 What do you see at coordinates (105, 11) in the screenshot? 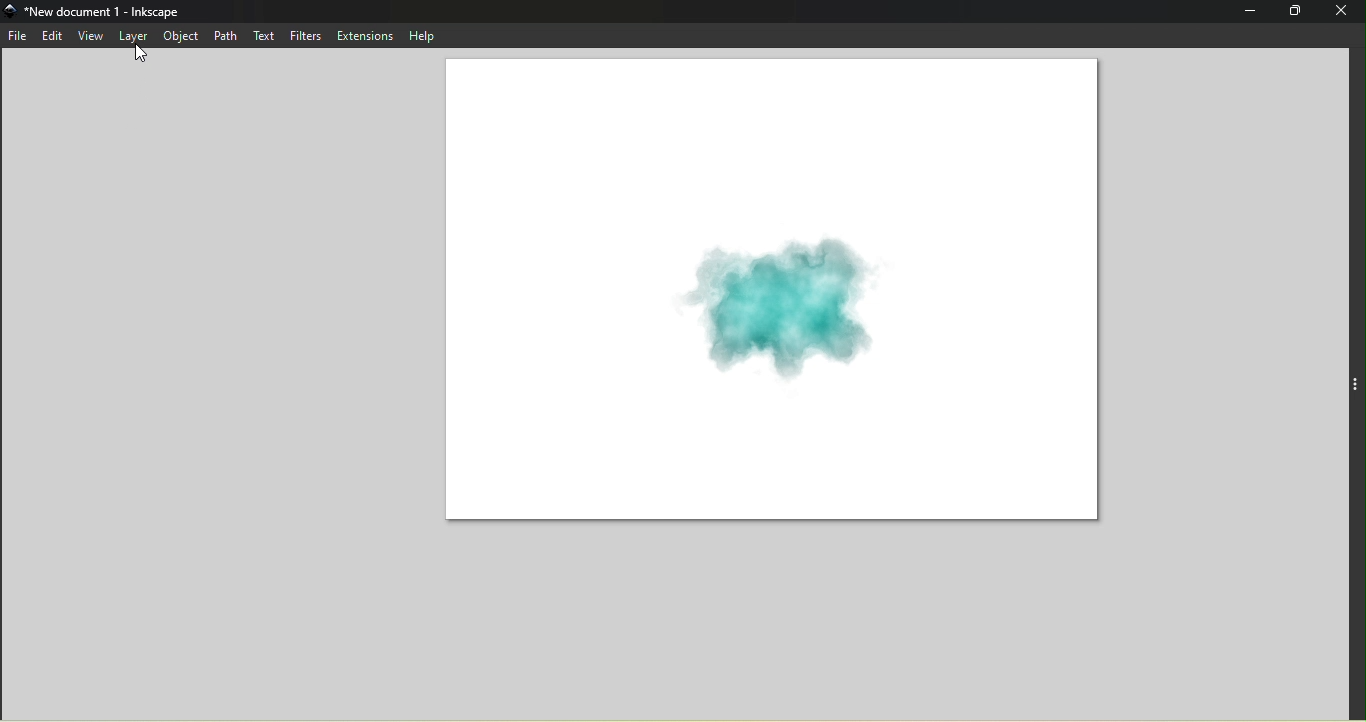
I see ` *New document 1 - Inkscape` at bounding box center [105, 11].